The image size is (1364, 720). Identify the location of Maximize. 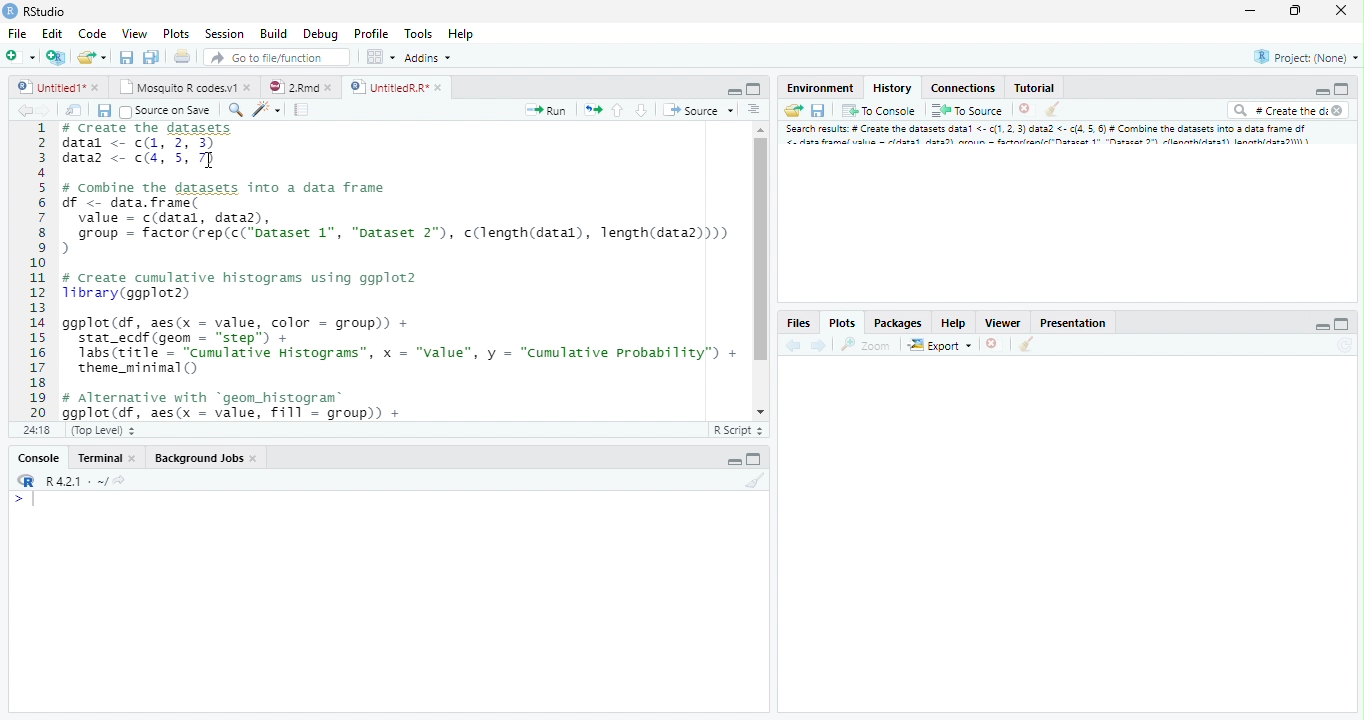
(754, 88).